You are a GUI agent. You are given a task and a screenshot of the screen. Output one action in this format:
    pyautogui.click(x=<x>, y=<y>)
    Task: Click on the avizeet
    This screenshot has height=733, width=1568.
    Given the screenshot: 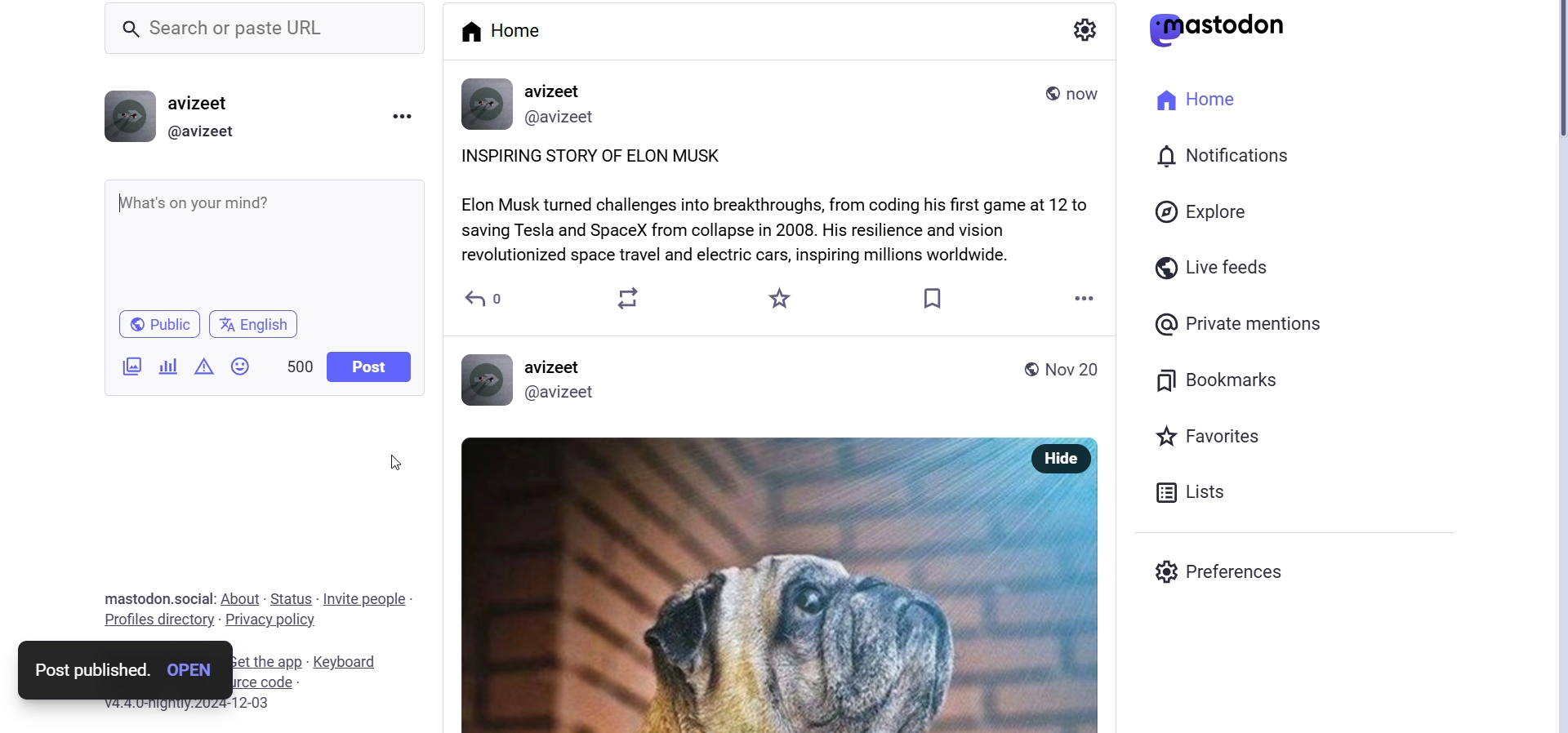 What is the action you would take?
    pyautogui.click(x=555, y=365)
    